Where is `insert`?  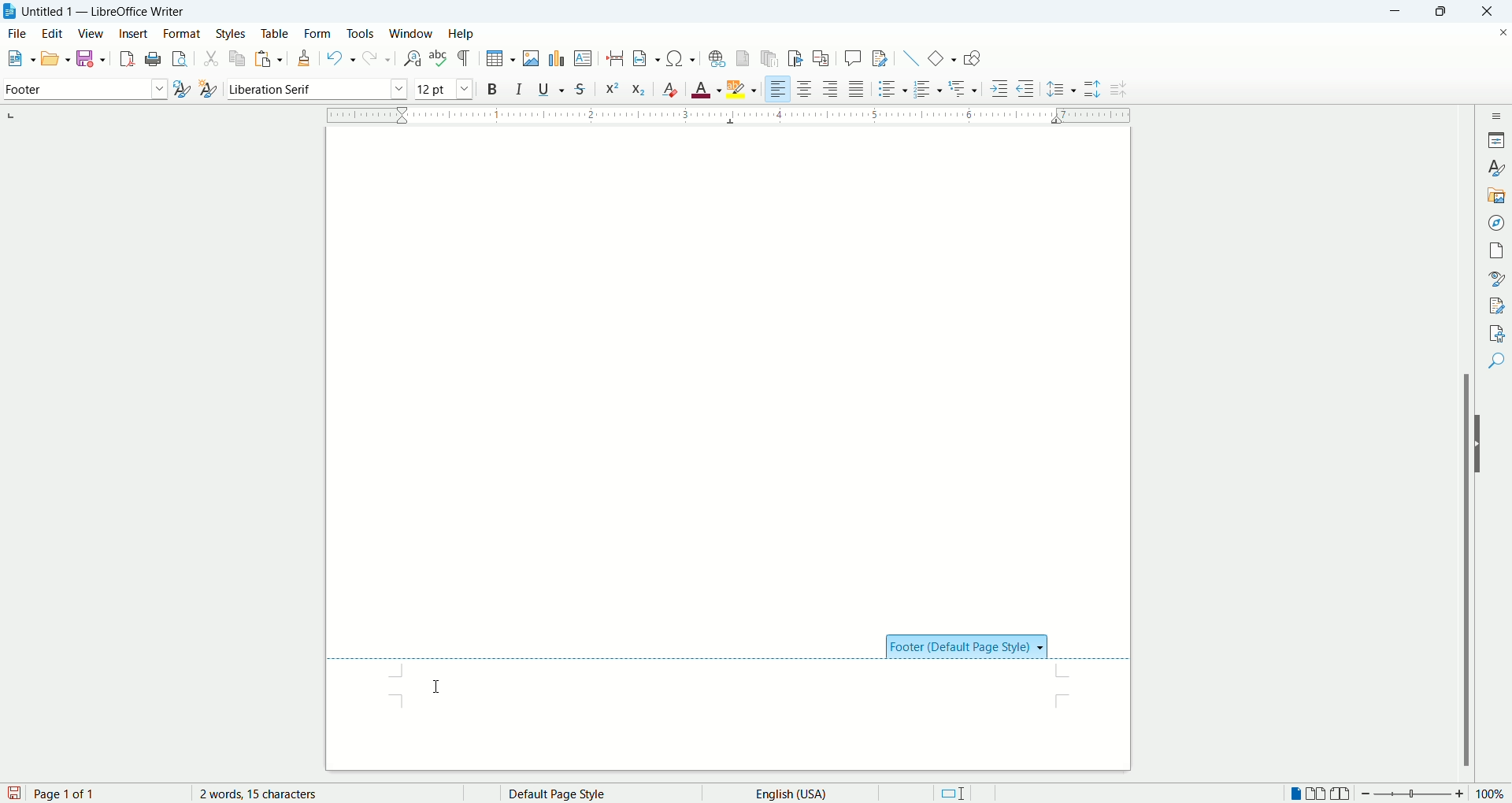
insert is located at coordinates (133, 33).